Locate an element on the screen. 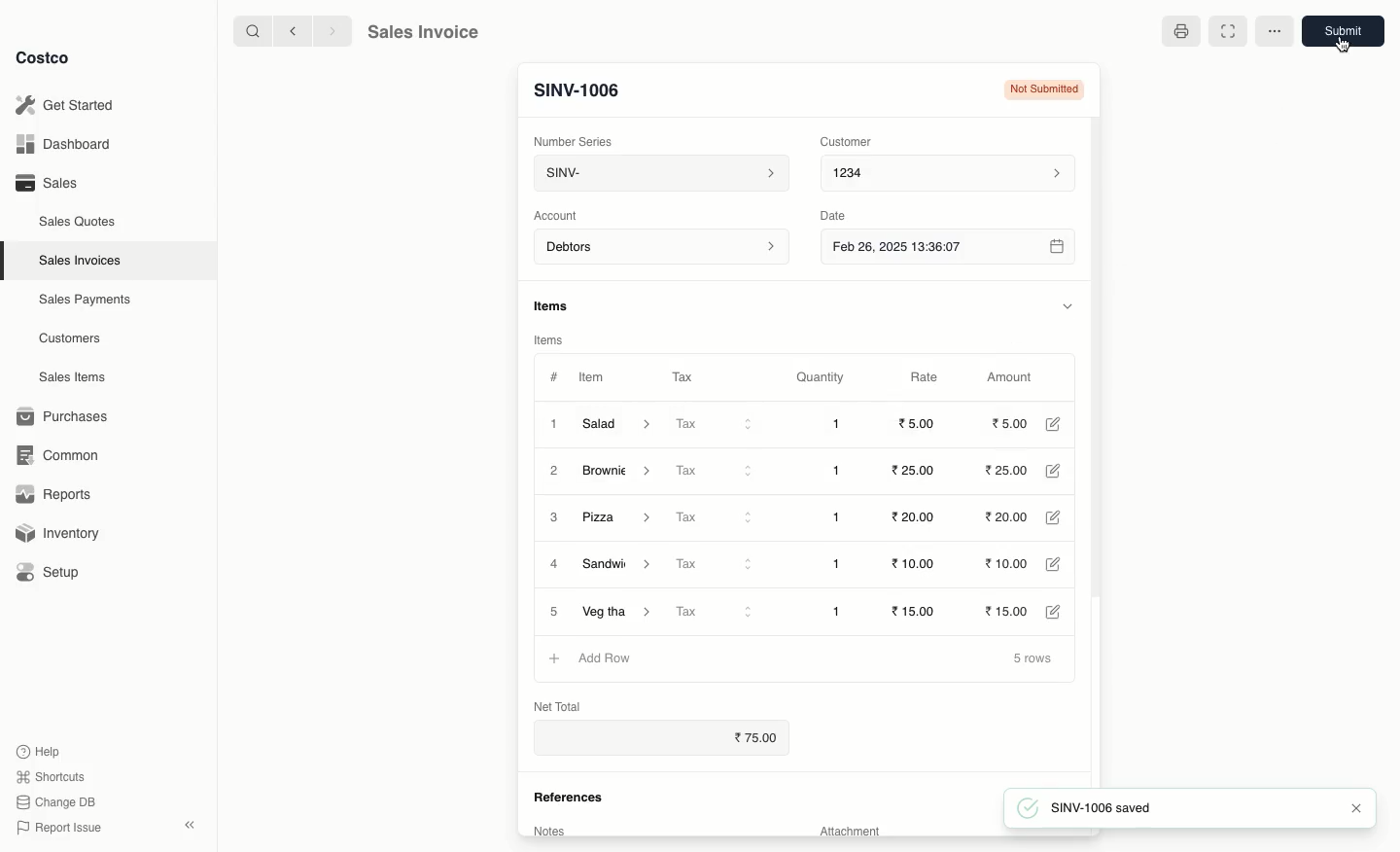  Tax is located at coordinates (713, 470).